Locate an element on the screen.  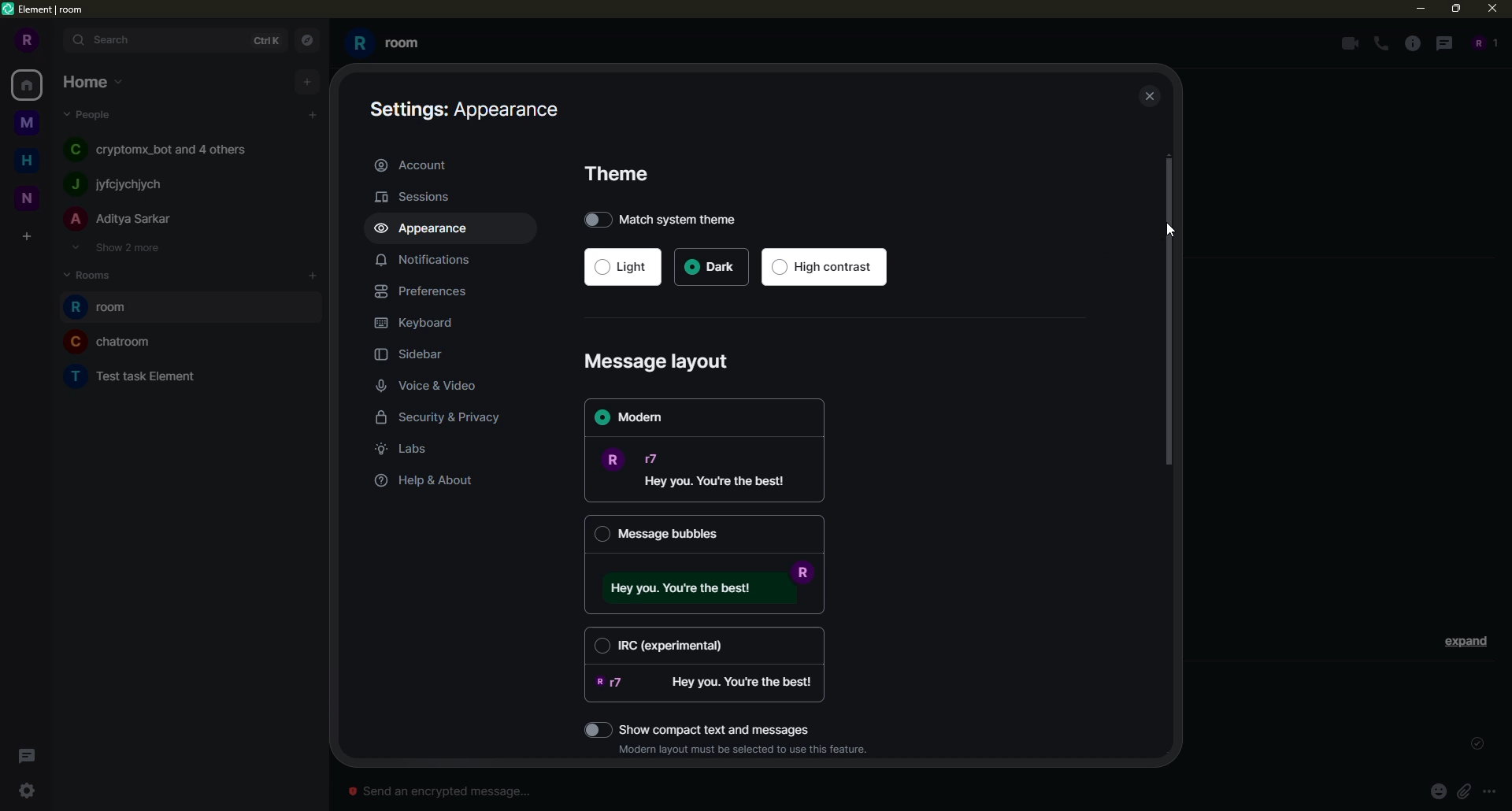
theme is located at coordinates (622, 173).